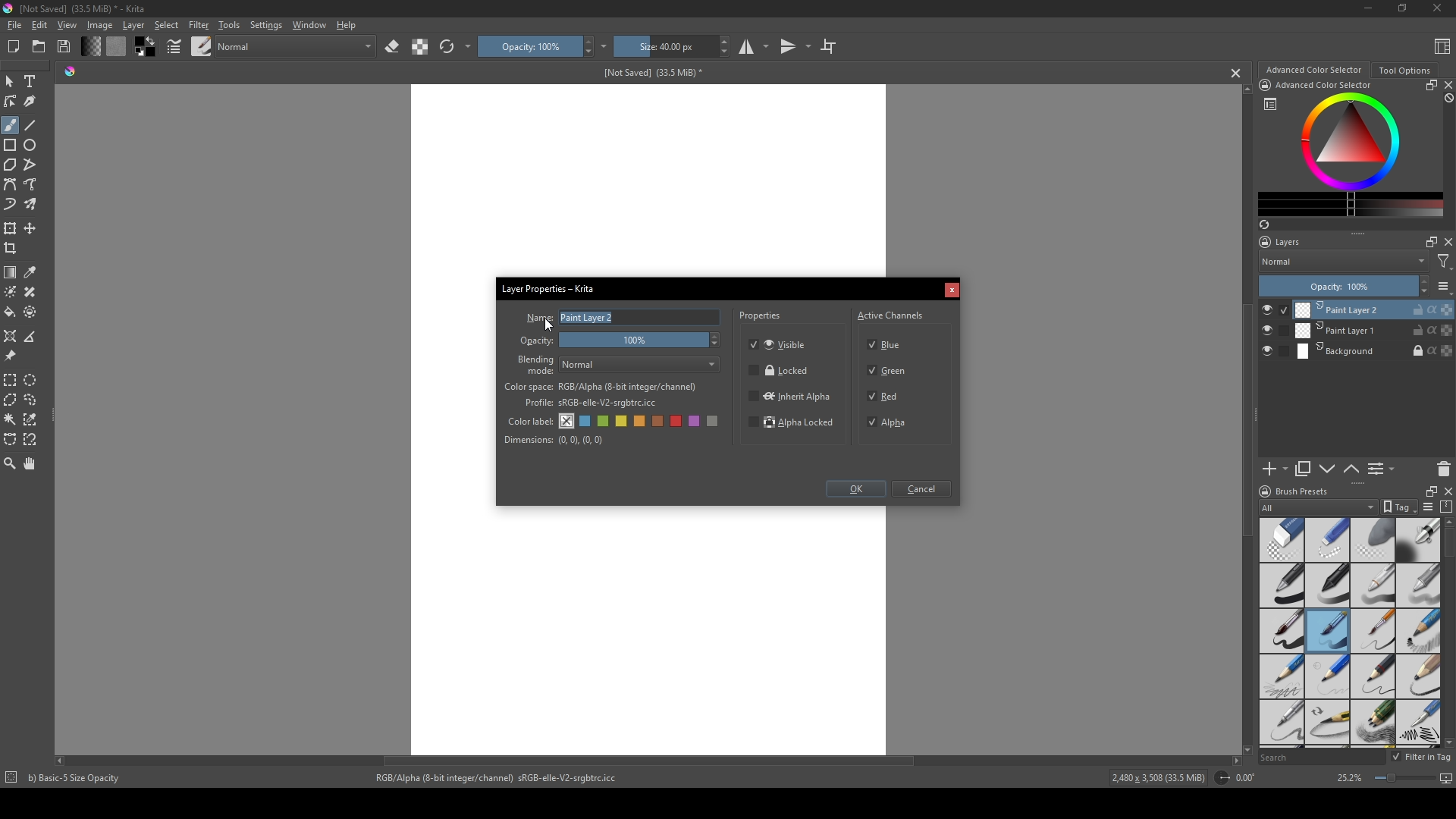  Describe the element at coordinates (65, 45) in the screenshot. I see `Save` at that location.